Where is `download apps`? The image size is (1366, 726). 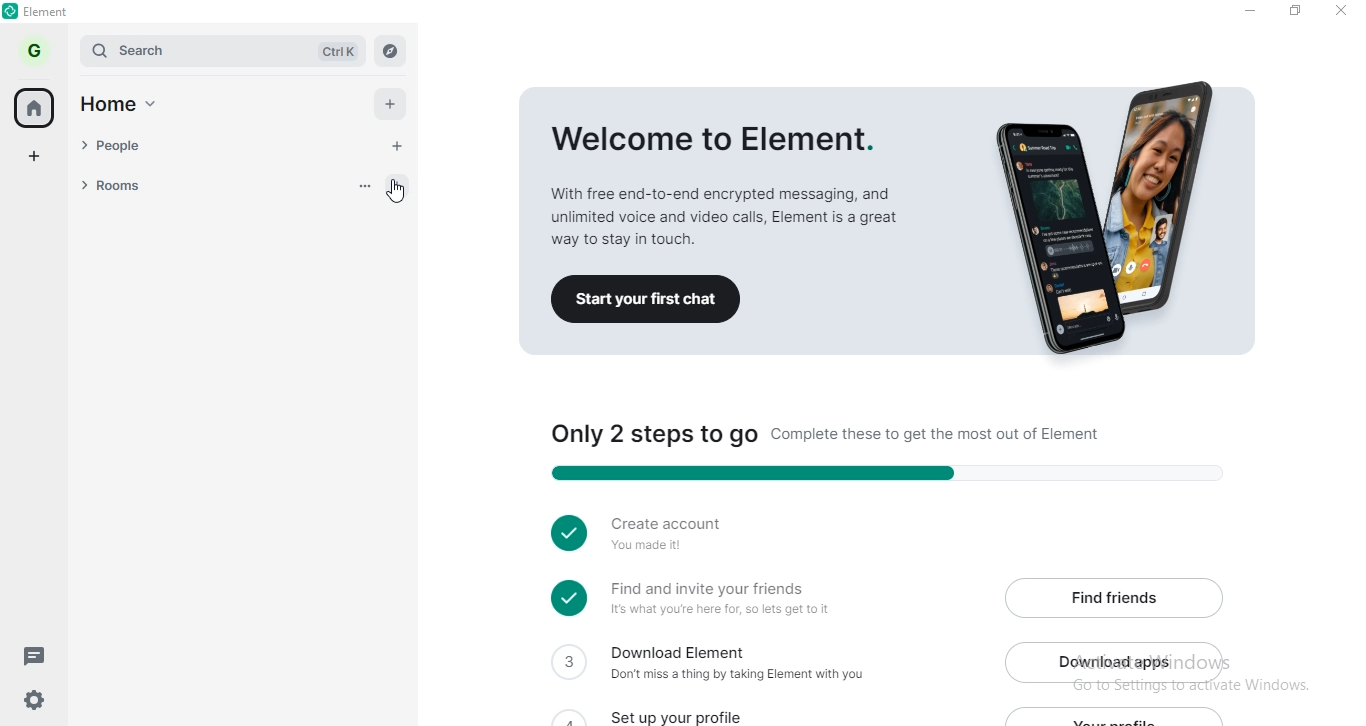 download apps is located at coordinates (1116, 660).